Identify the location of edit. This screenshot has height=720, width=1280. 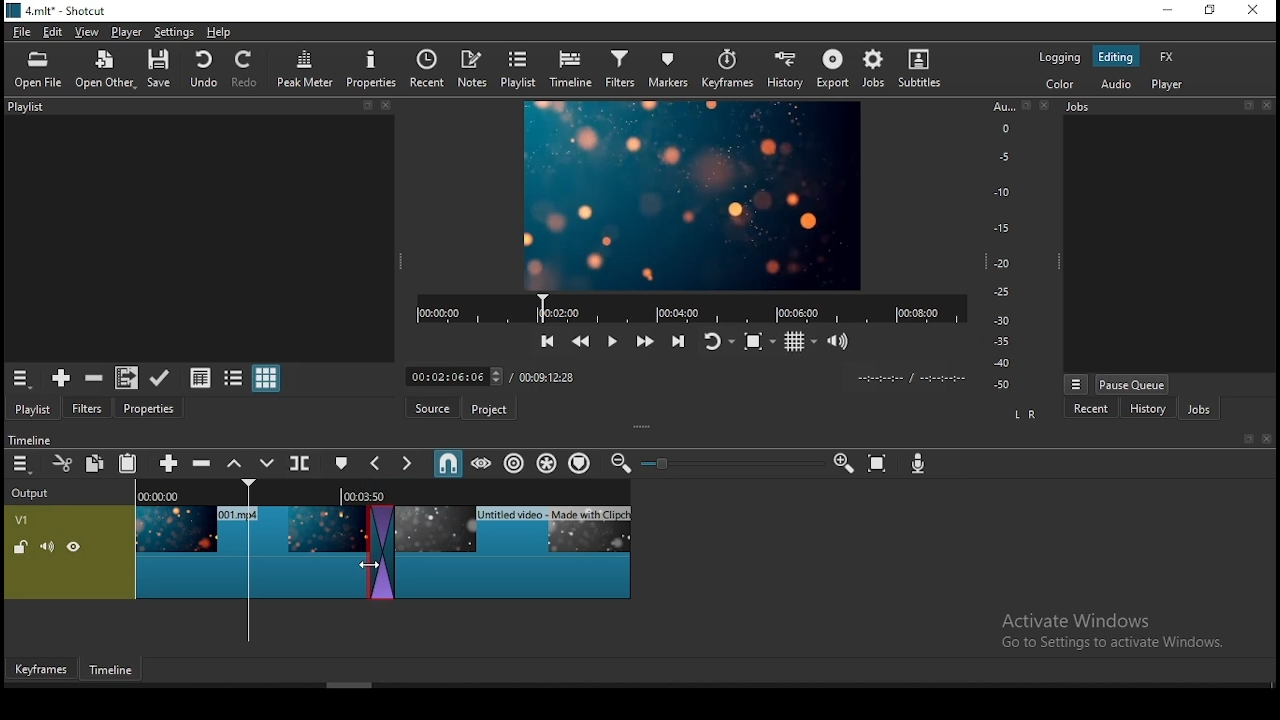
(56, 31).